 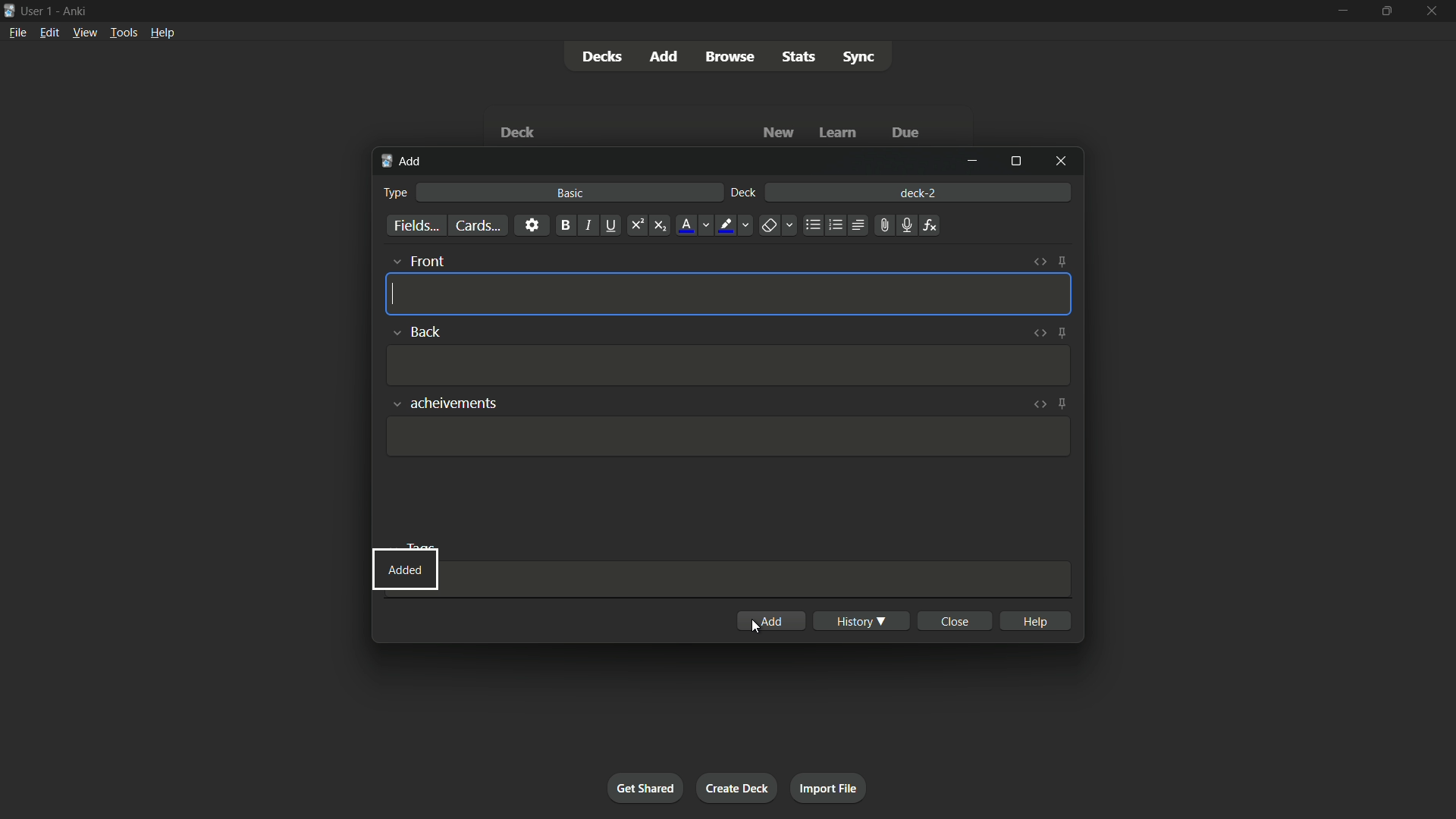 What do you see at coordinates (395, 193) in the screenshot?
I see `type` at bounding box center [395, 193].